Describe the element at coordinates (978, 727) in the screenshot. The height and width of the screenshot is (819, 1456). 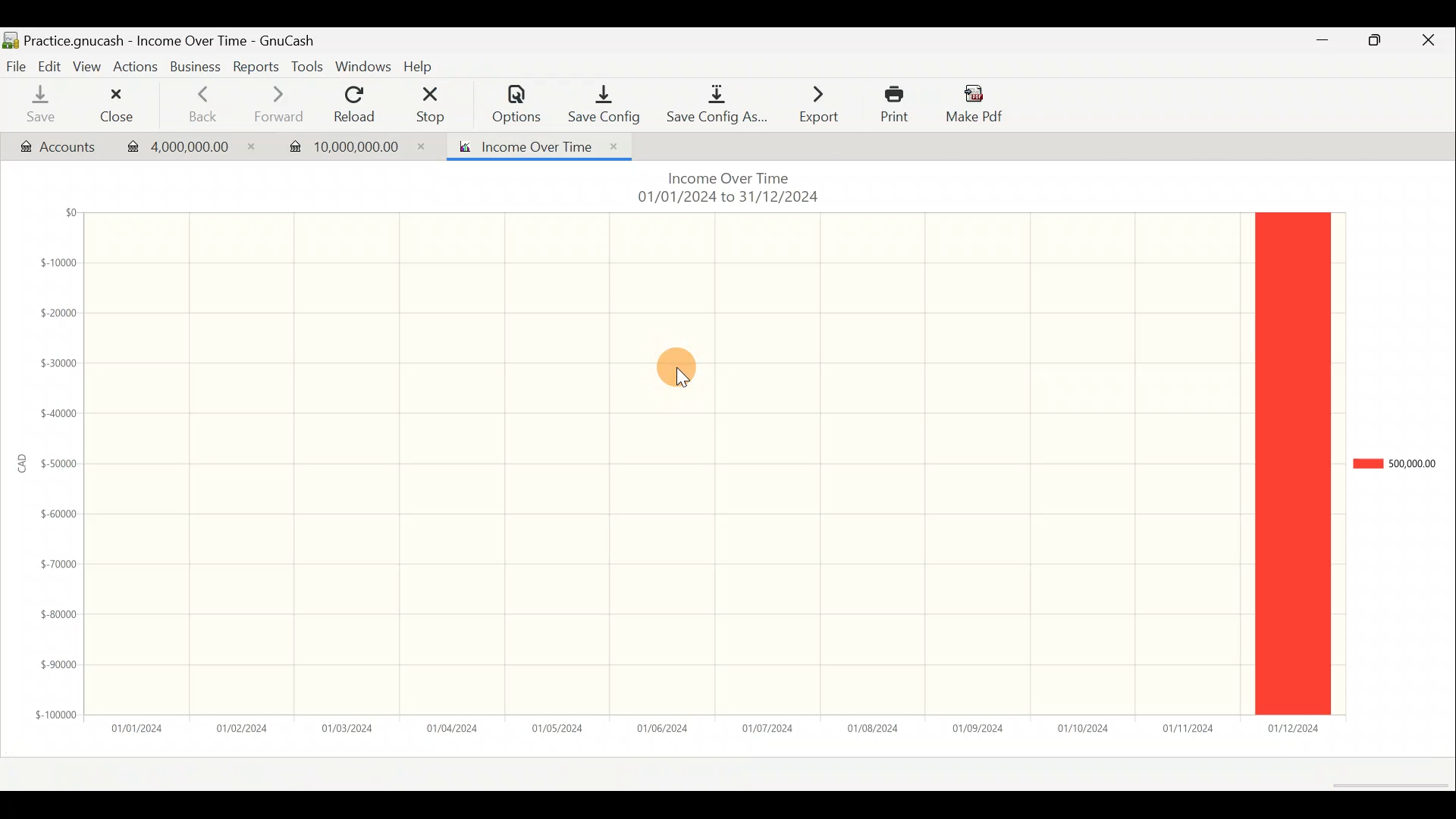
I see `01/09/2024` at that location.